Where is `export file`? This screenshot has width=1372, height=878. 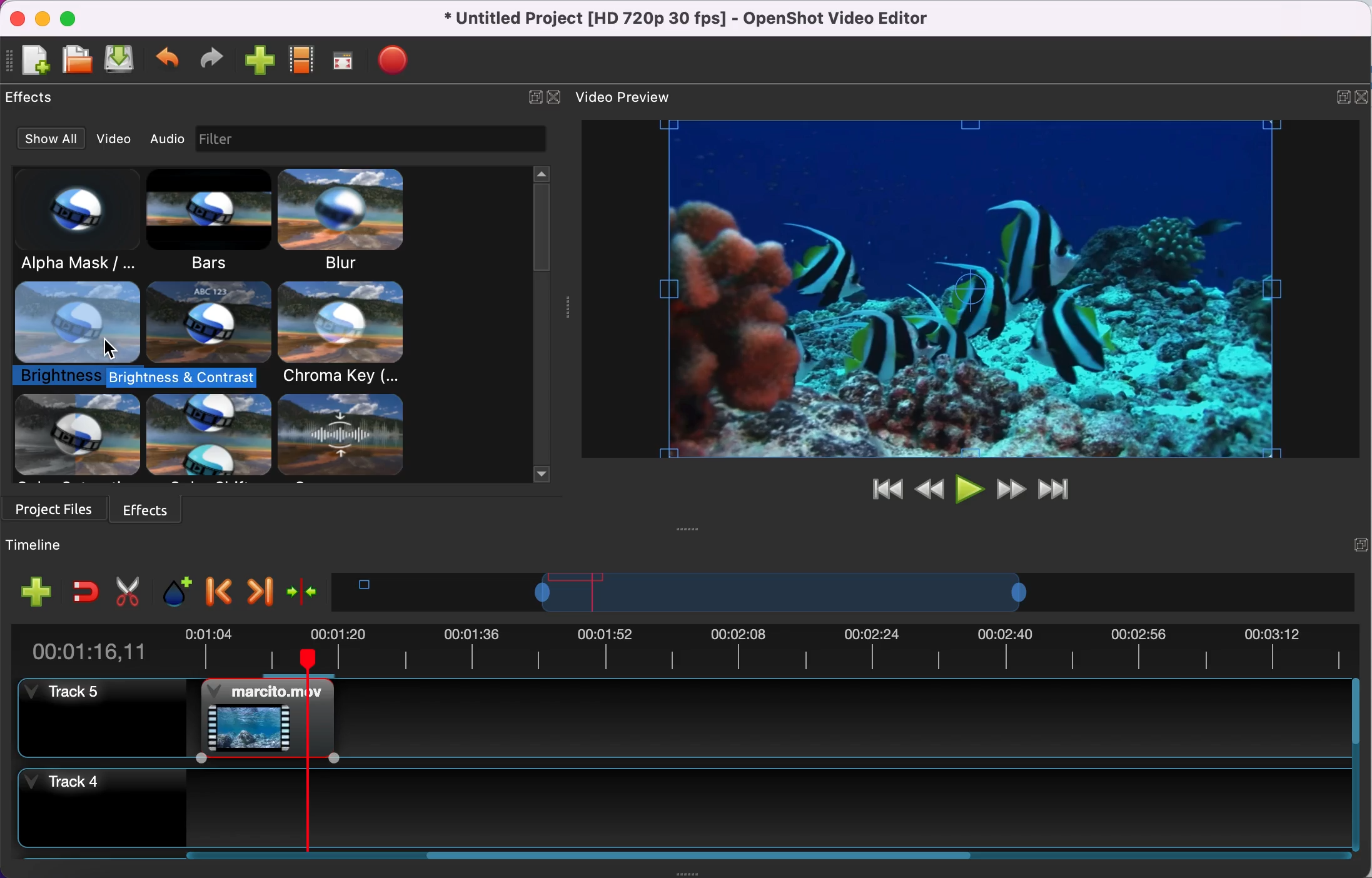 export file is located at coordinates (393, 62).